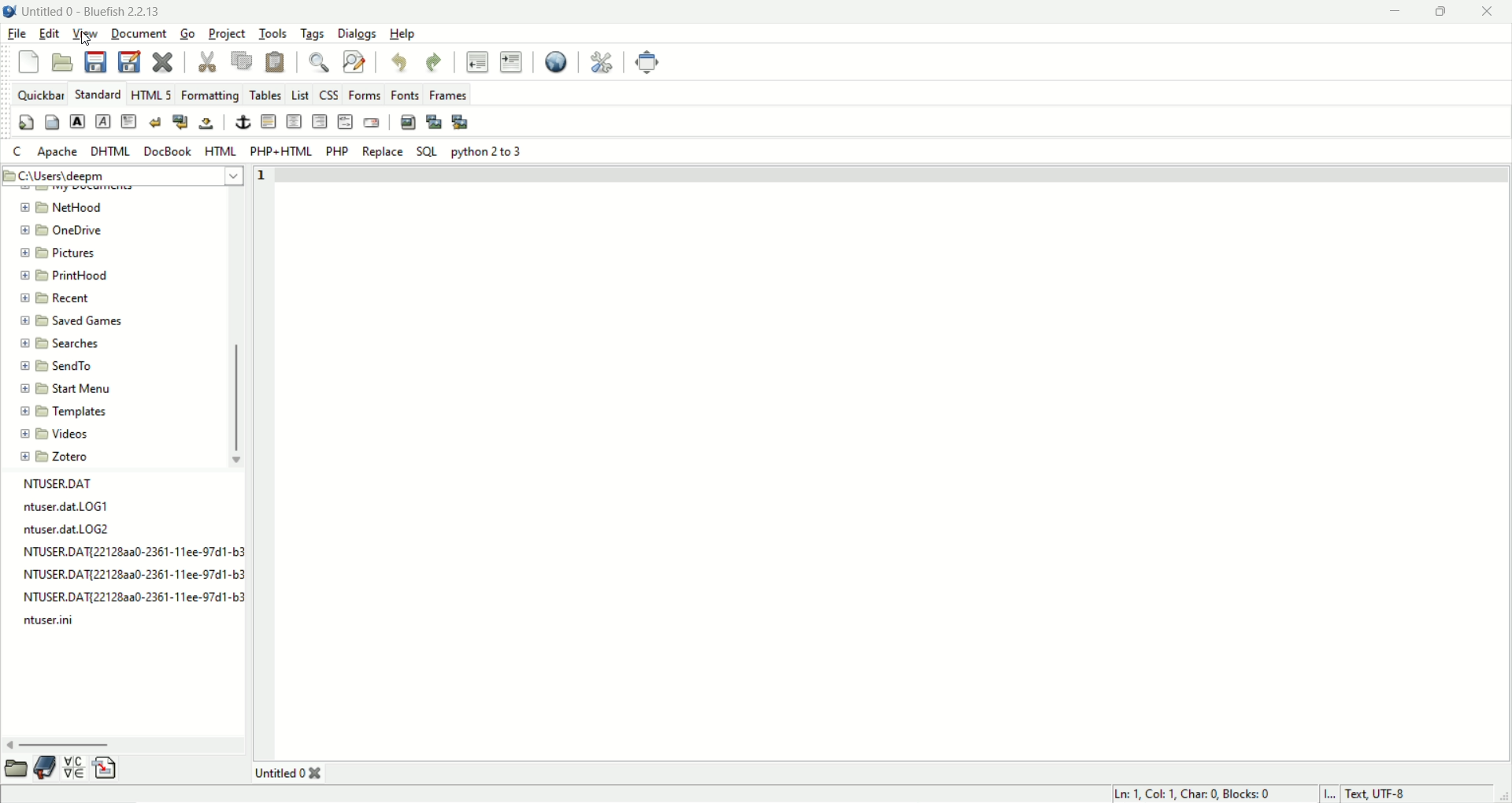 Image resolution: width=1512 pixels, height=803 pixels. I want to click on file, so click(18, 34).